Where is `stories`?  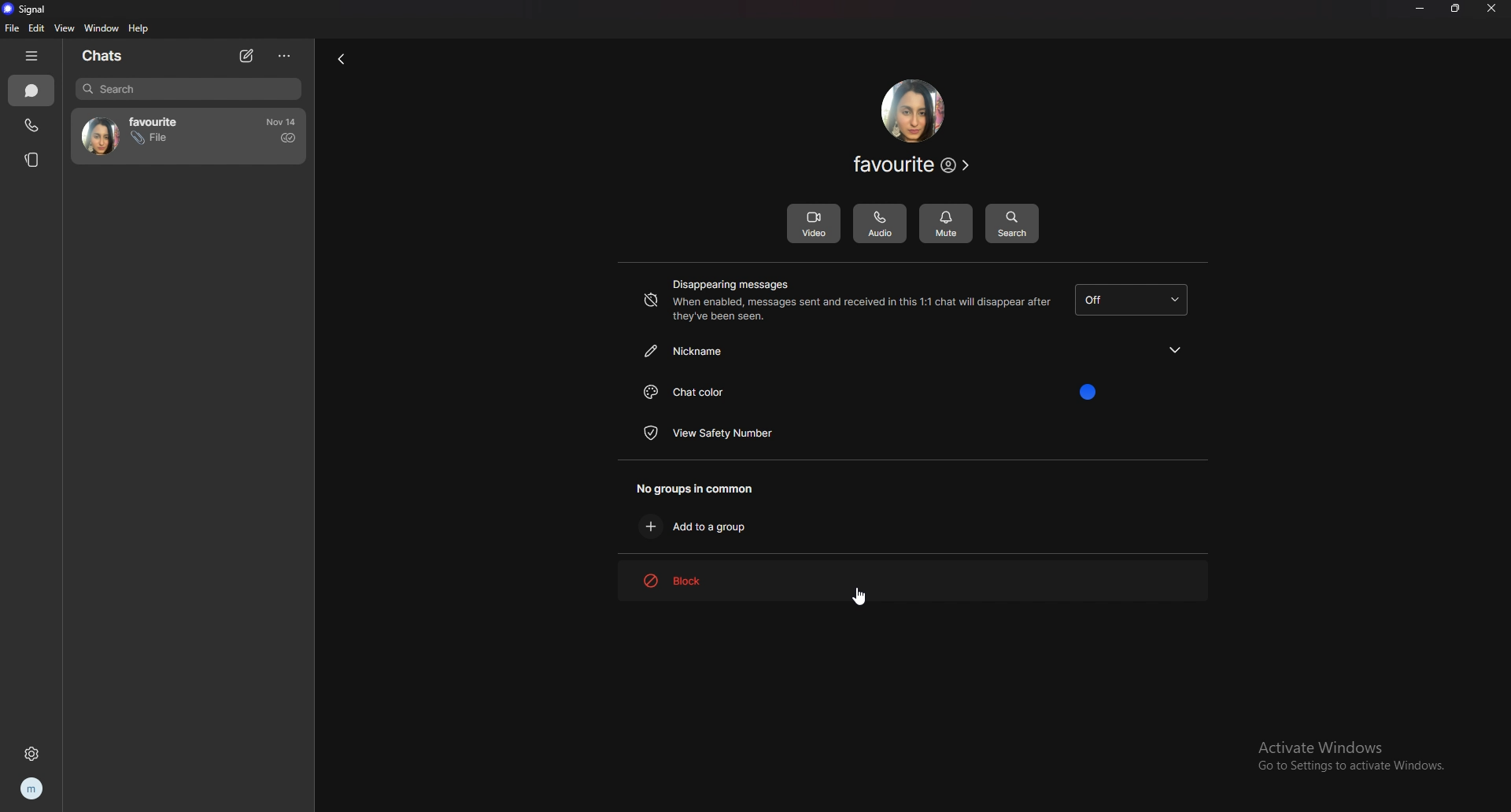
stories is located at coordinates (29, 160).